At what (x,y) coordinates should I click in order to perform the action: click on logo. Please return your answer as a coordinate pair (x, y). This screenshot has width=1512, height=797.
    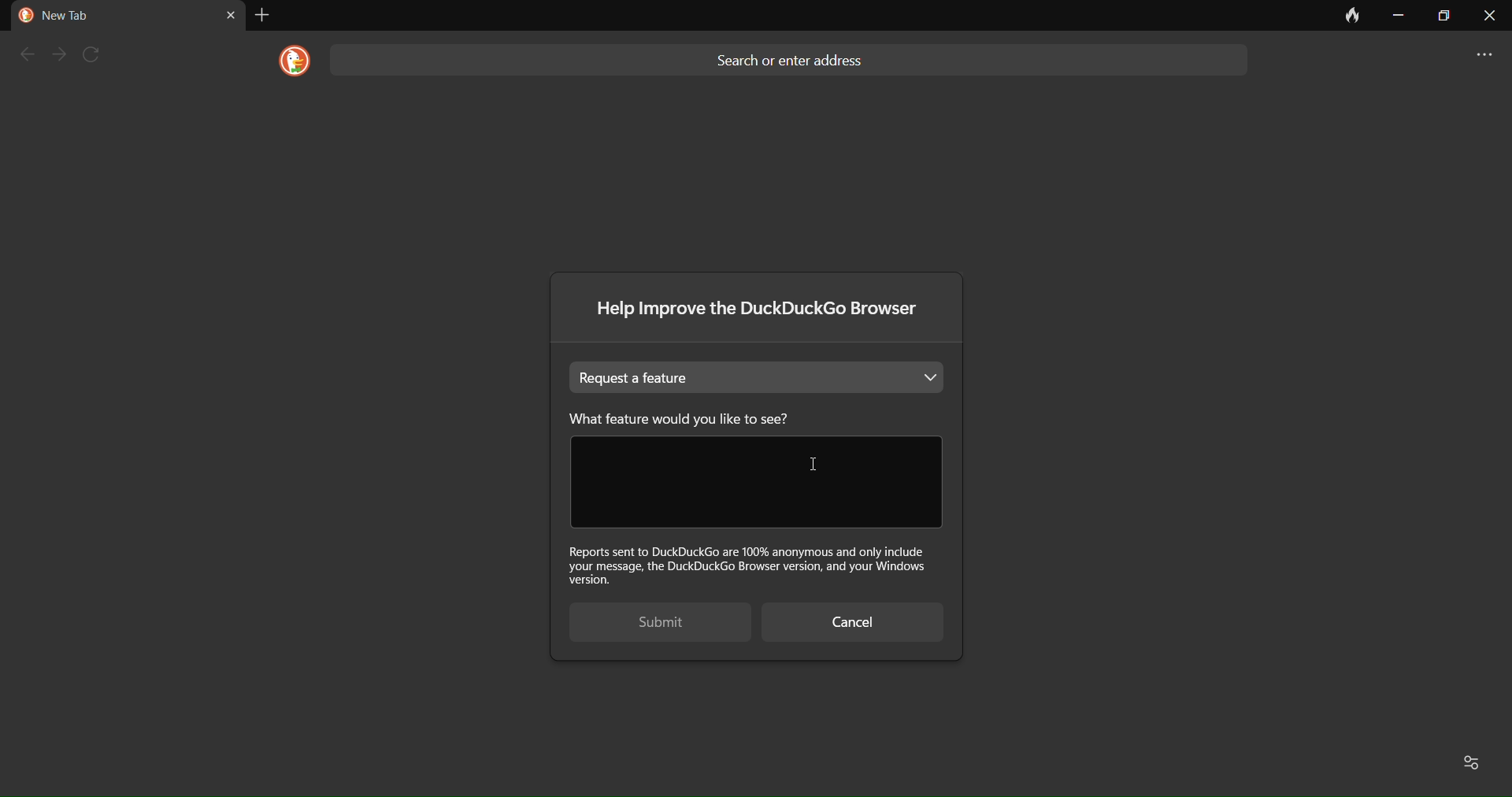
    Looking at the image, I should click on (289, 61).